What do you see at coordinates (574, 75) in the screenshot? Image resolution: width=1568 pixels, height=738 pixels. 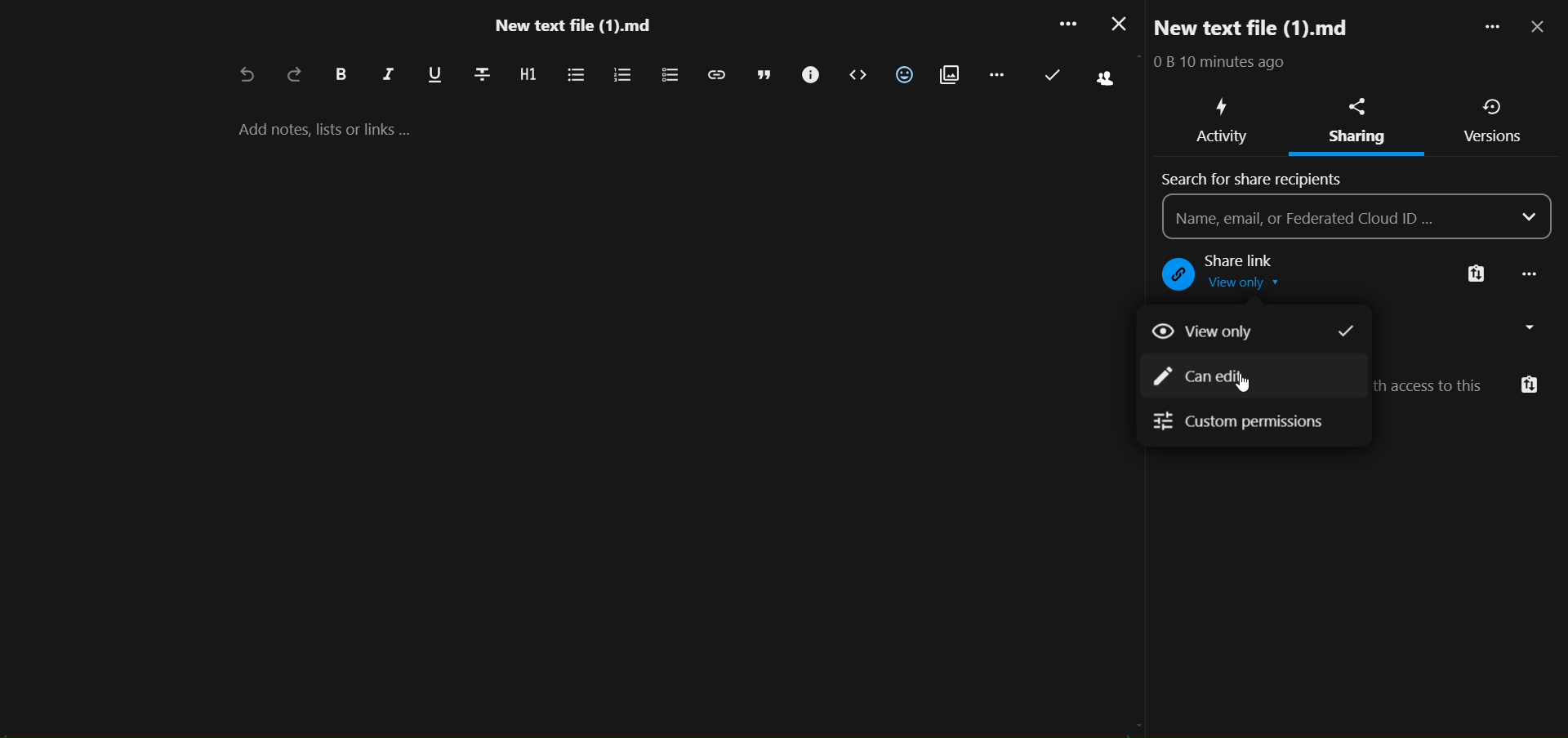 I see `unordered list` at bounding box center [574, 75].